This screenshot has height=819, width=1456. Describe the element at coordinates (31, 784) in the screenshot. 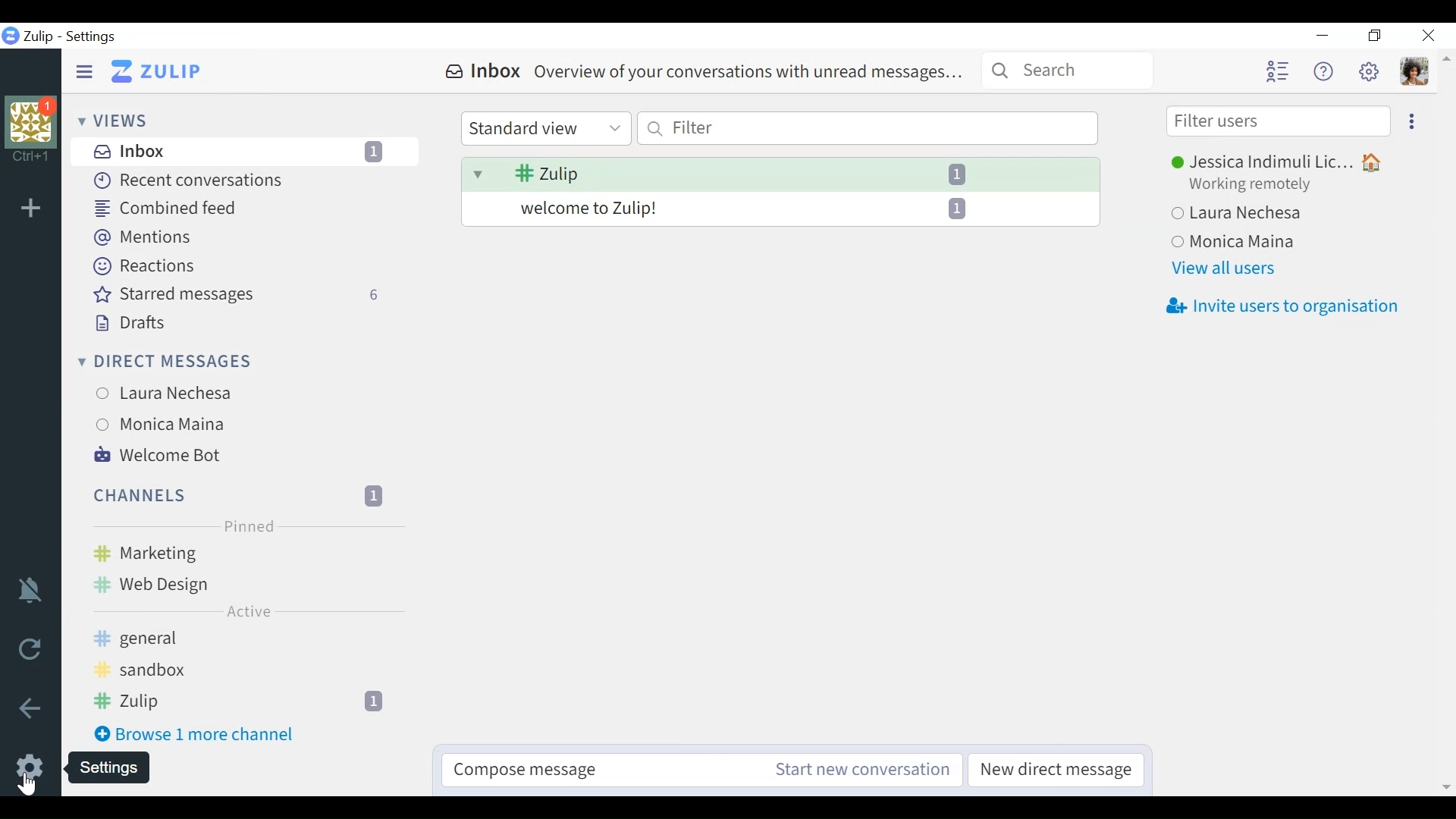

I see `Cursor` at that location.